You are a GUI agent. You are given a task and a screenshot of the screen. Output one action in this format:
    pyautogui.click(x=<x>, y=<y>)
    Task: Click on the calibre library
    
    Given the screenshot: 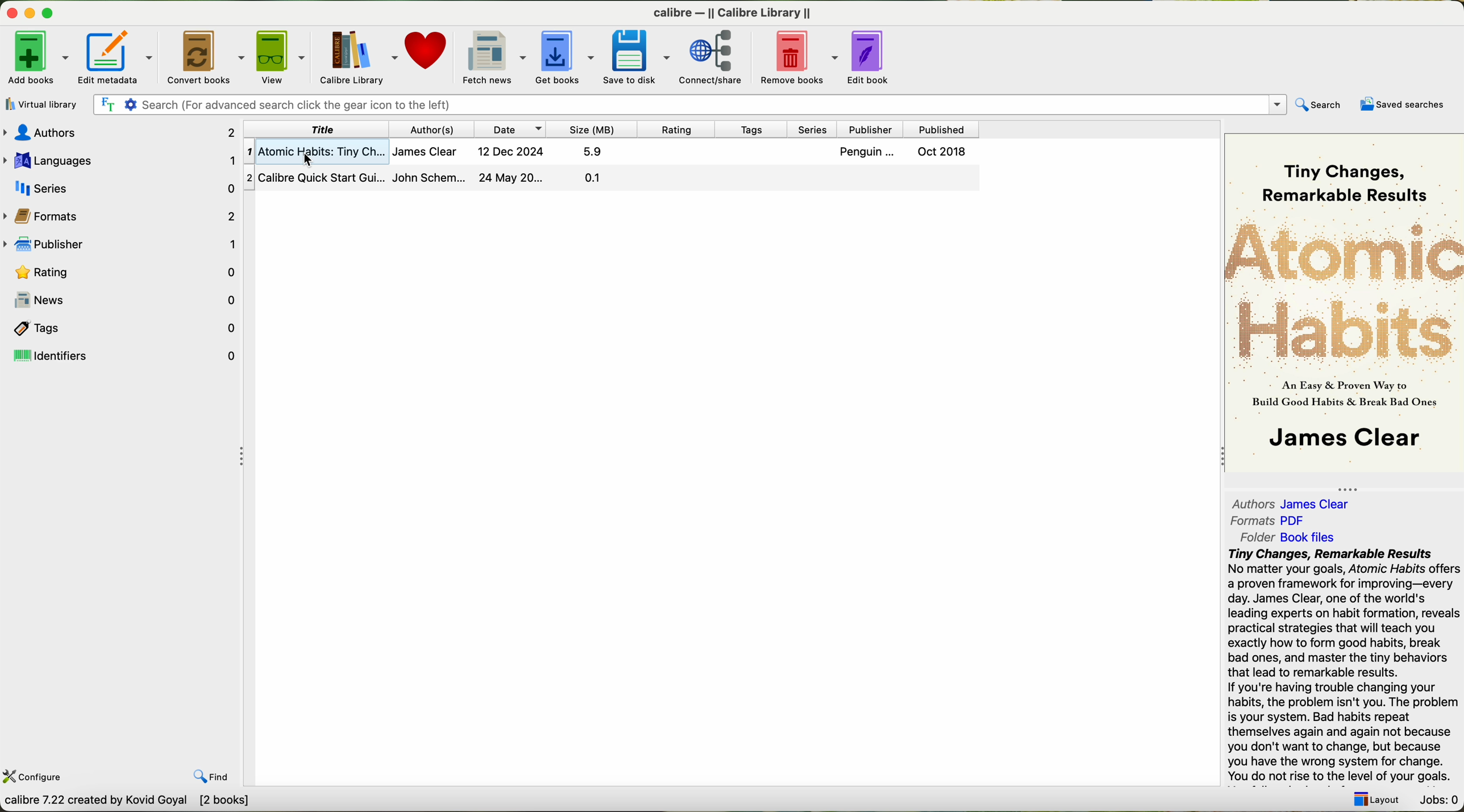 What is the action you would take?
    pyautogui.click(x=359, y=57)
    